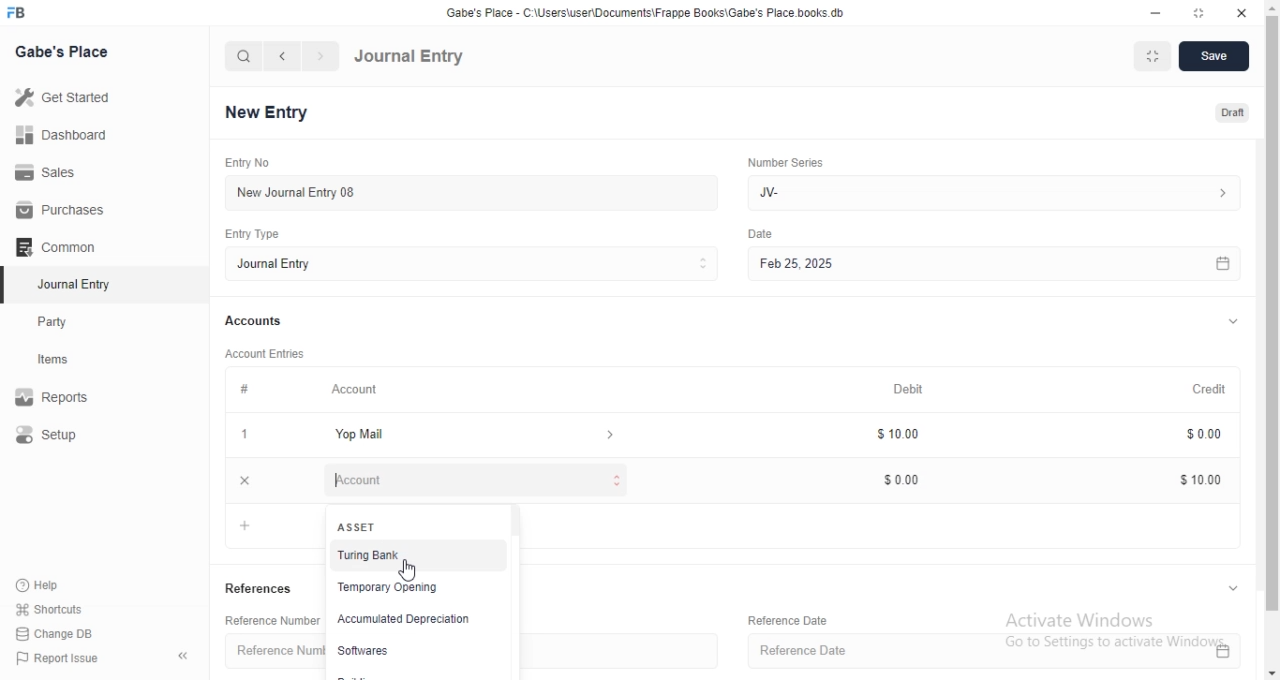 This screenshot has height=680, width=1280. Describe the element at coordinates (408, 585) in the screenshot. I see `Temporary Opening` at that location.